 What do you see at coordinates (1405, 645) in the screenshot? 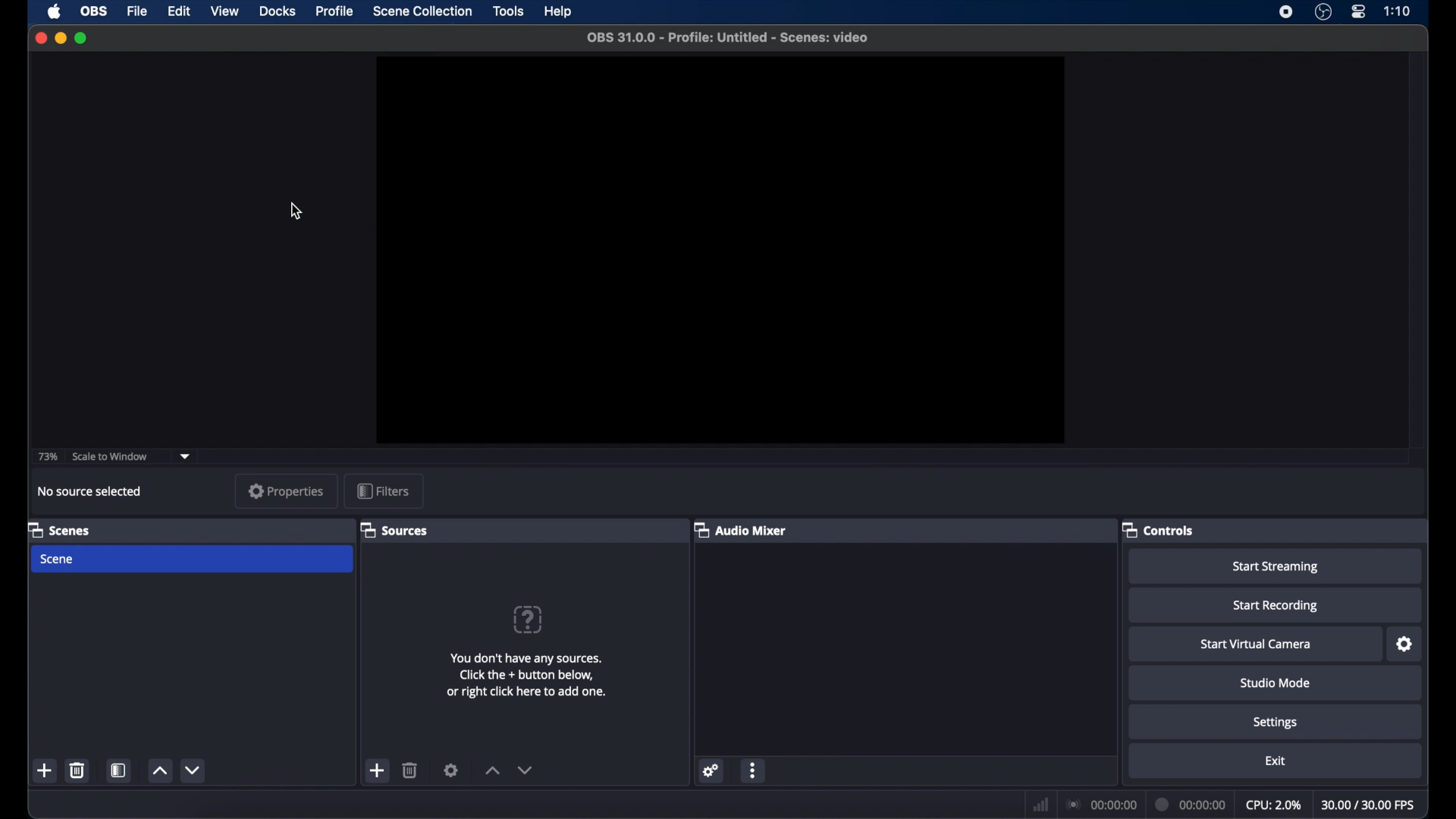
I see `settings` at bounding box center [1405, 645].